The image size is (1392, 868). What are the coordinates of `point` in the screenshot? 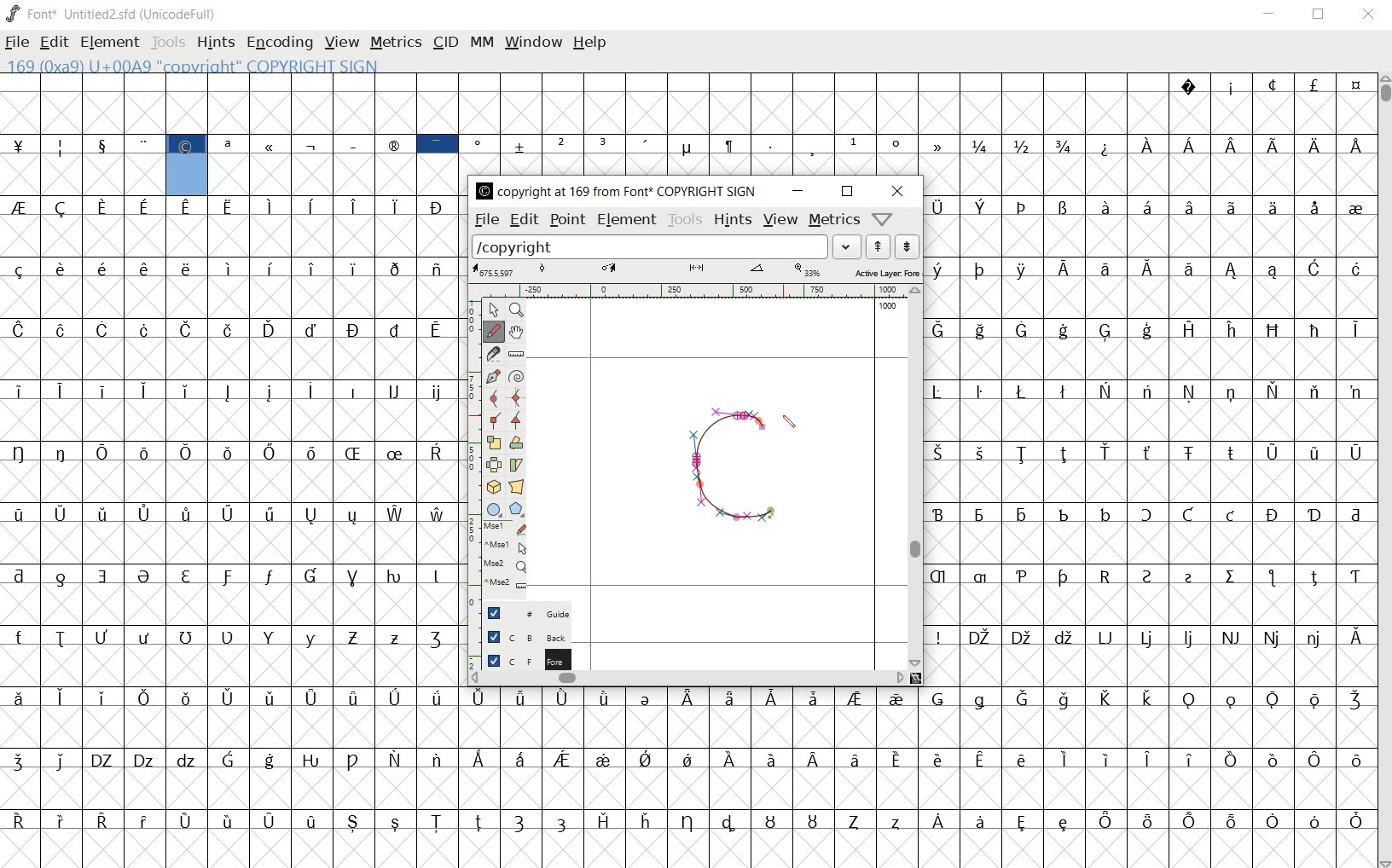 It's located at (566, 220).